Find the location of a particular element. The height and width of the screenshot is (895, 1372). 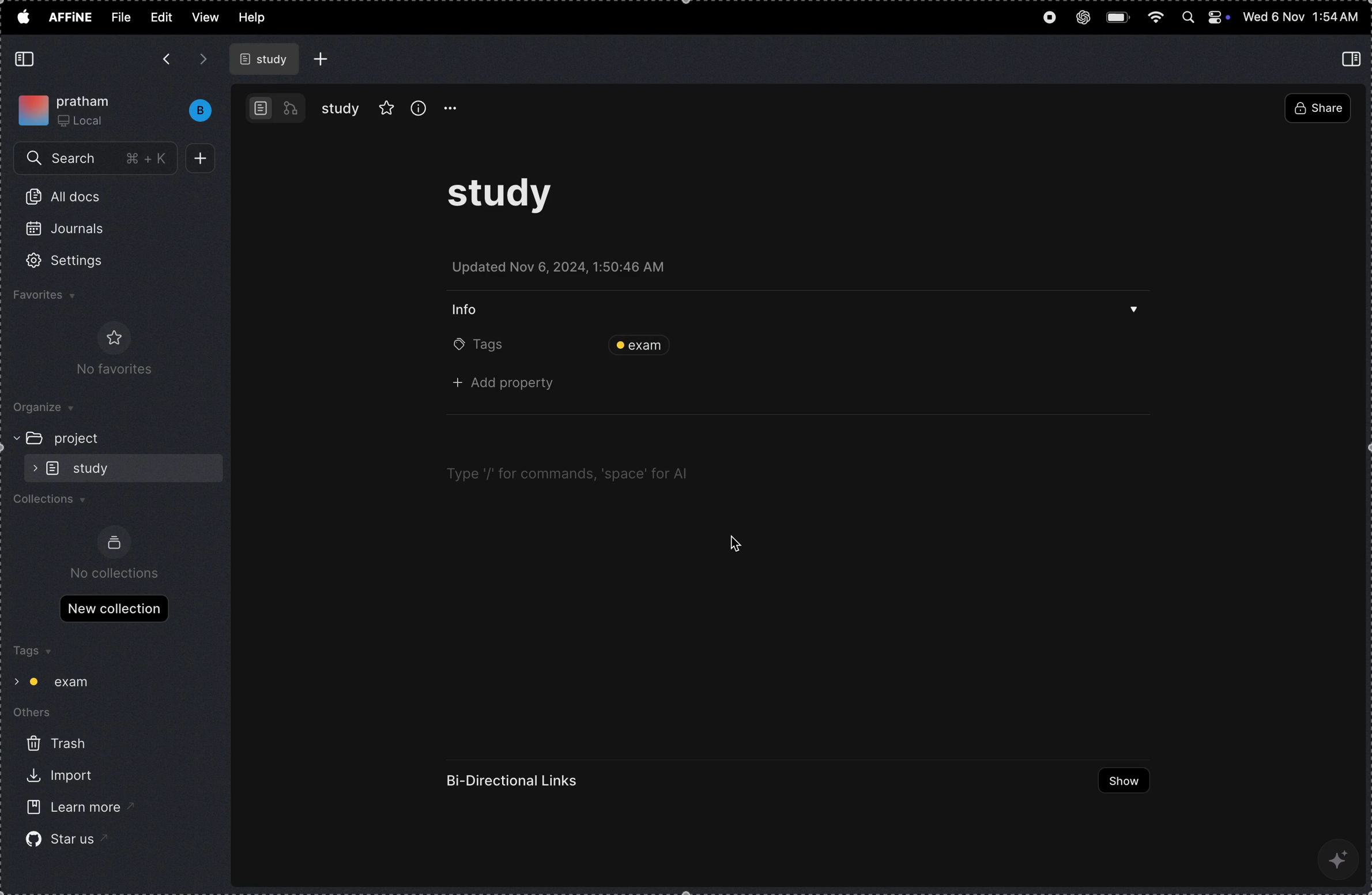

journals is located at coordinates (73, 234).